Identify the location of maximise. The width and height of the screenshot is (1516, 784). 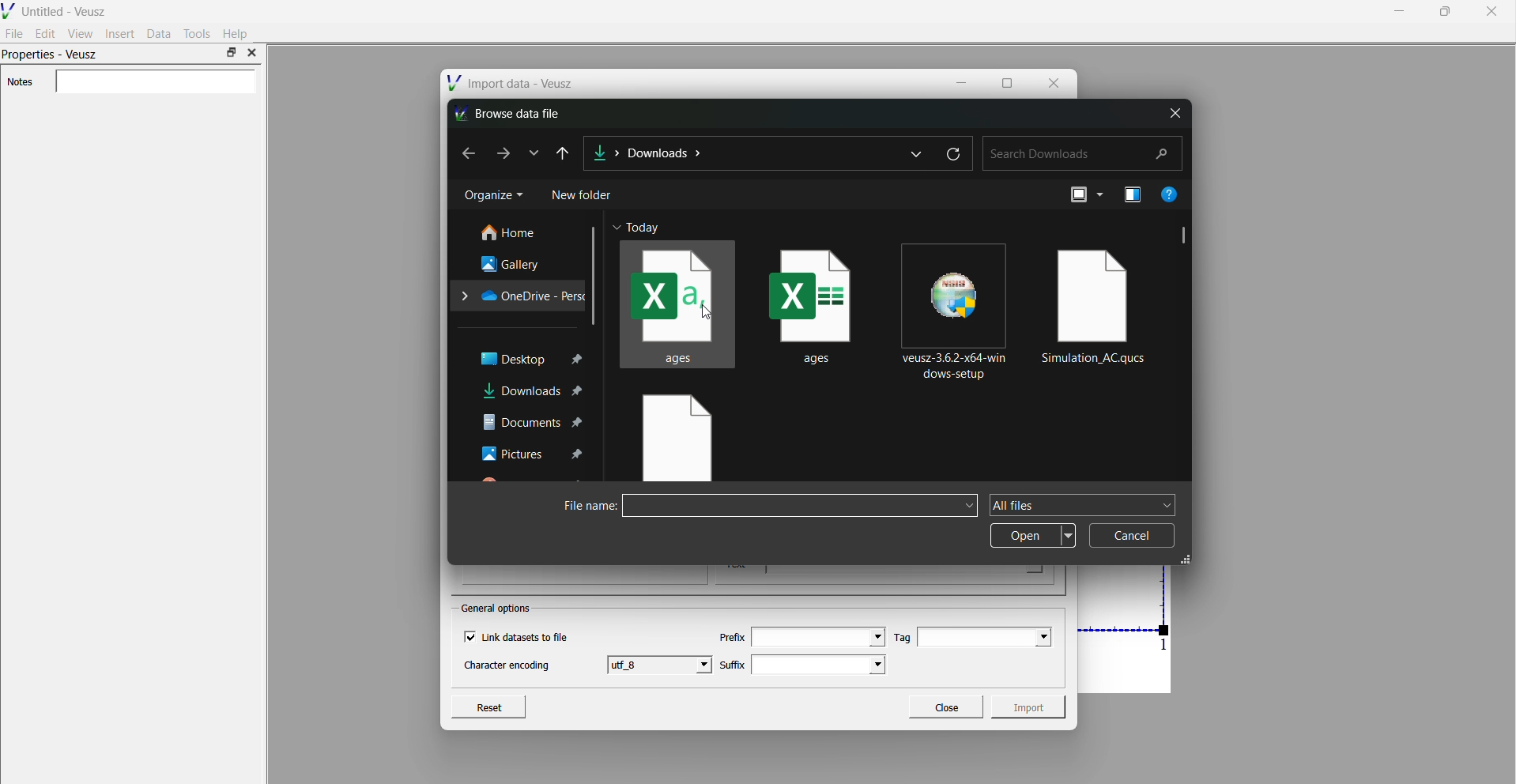
(1007, 81).